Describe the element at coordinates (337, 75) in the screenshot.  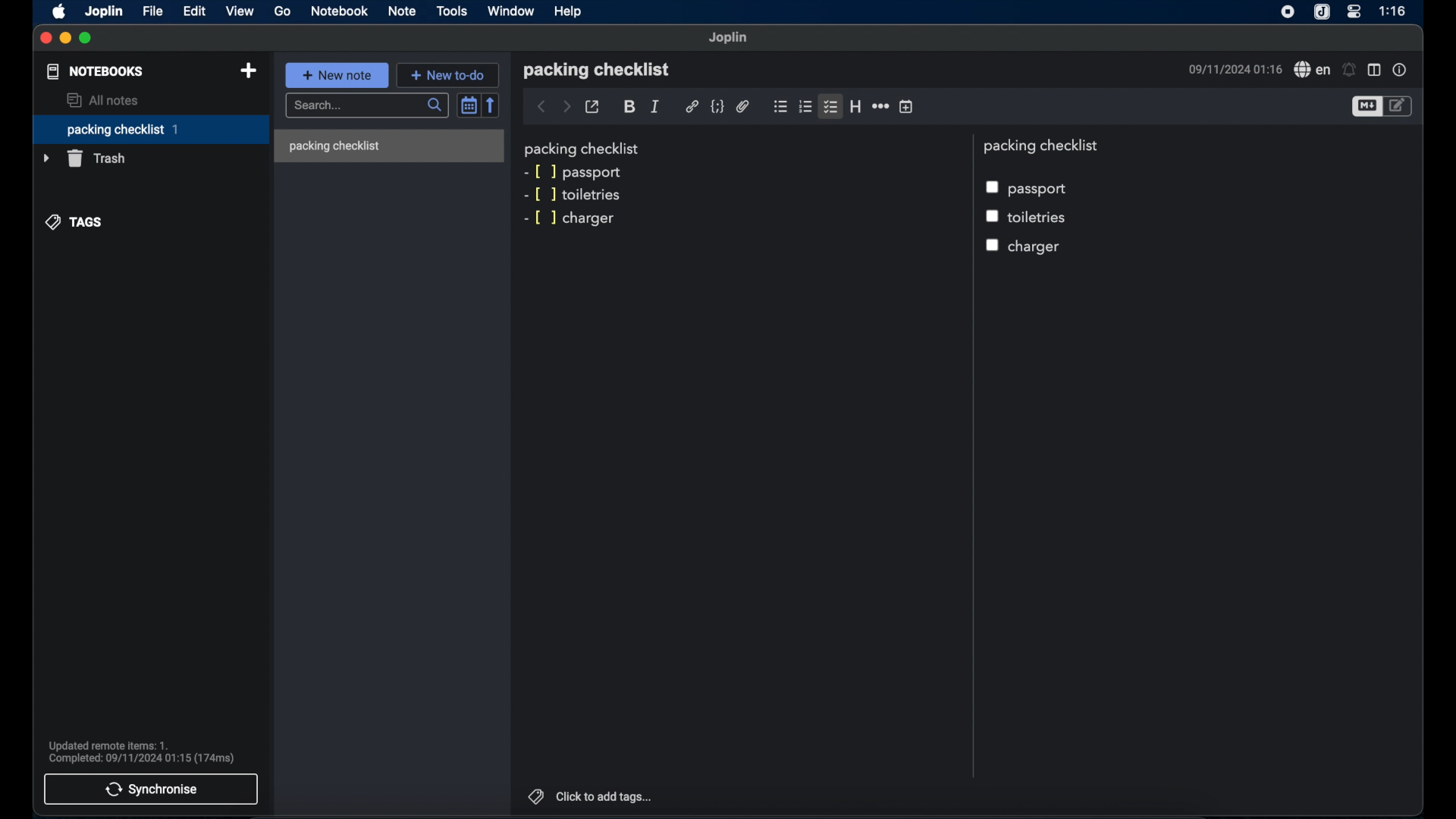
I see `new note` at that location.